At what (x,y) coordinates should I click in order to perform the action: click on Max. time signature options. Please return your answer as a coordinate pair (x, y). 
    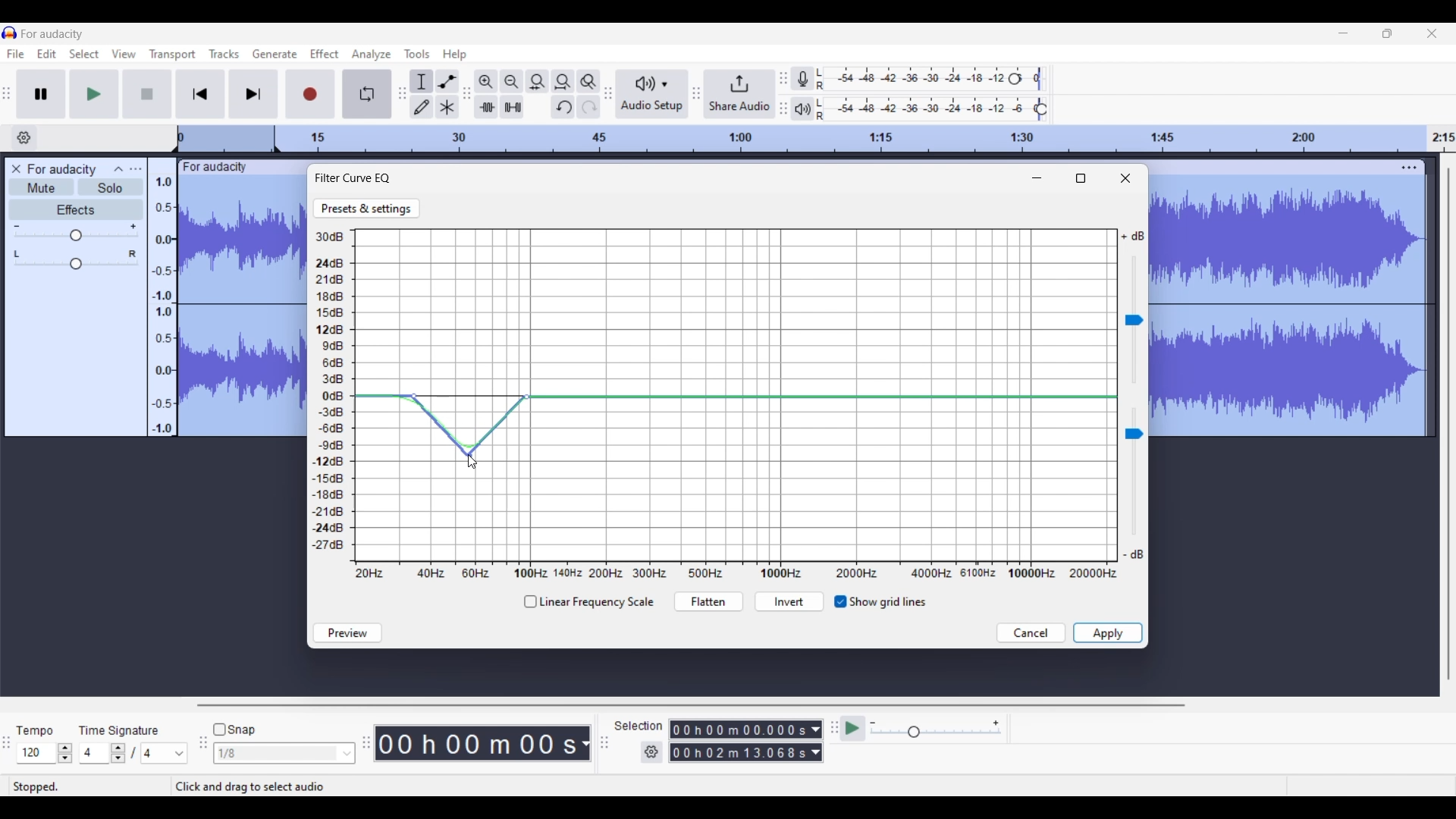
    Looking at the image, I should click on (165, 754).